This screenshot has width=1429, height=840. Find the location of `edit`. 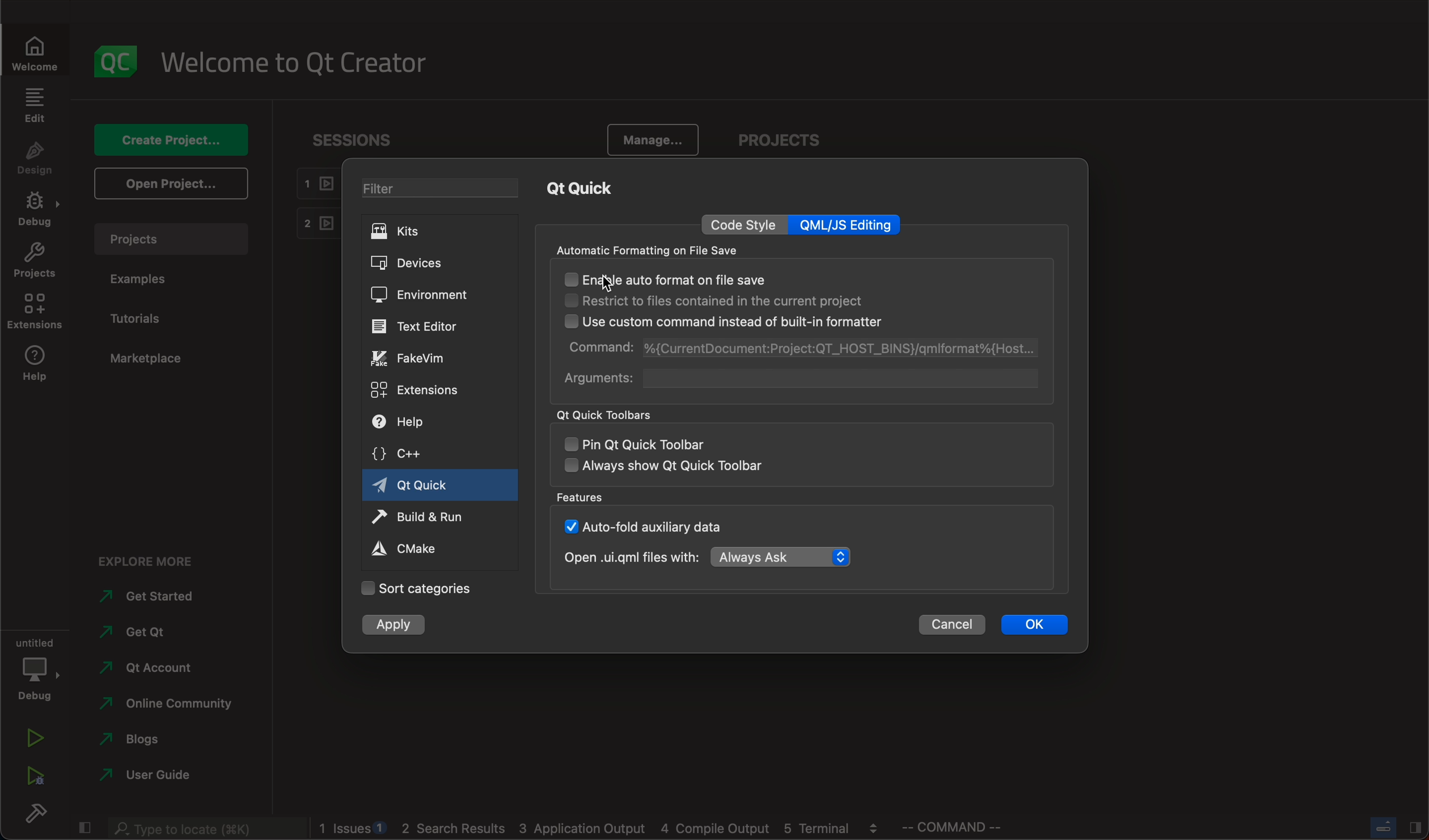

edit is located at coordinates (36, 106).